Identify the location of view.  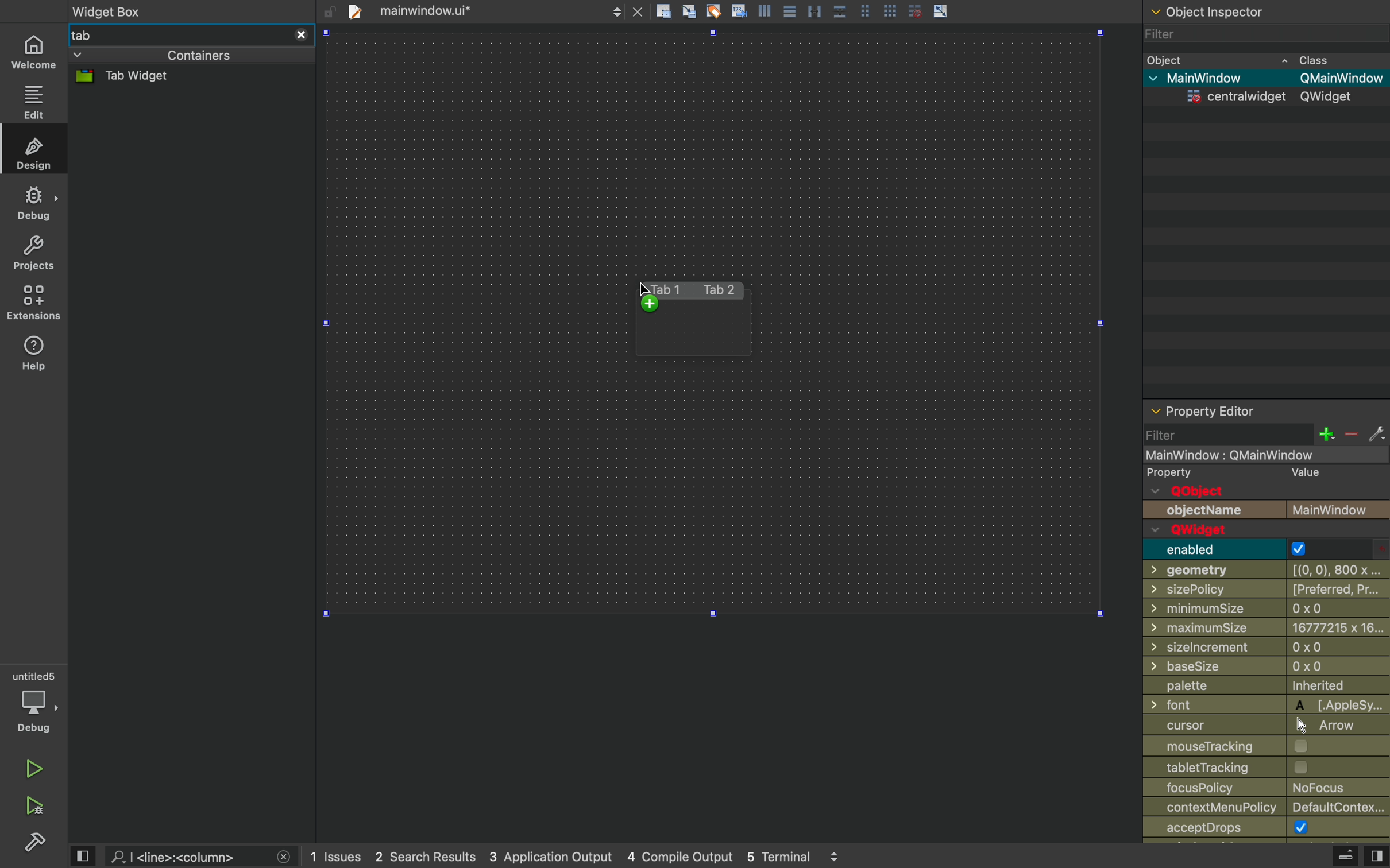
(1376, 857).